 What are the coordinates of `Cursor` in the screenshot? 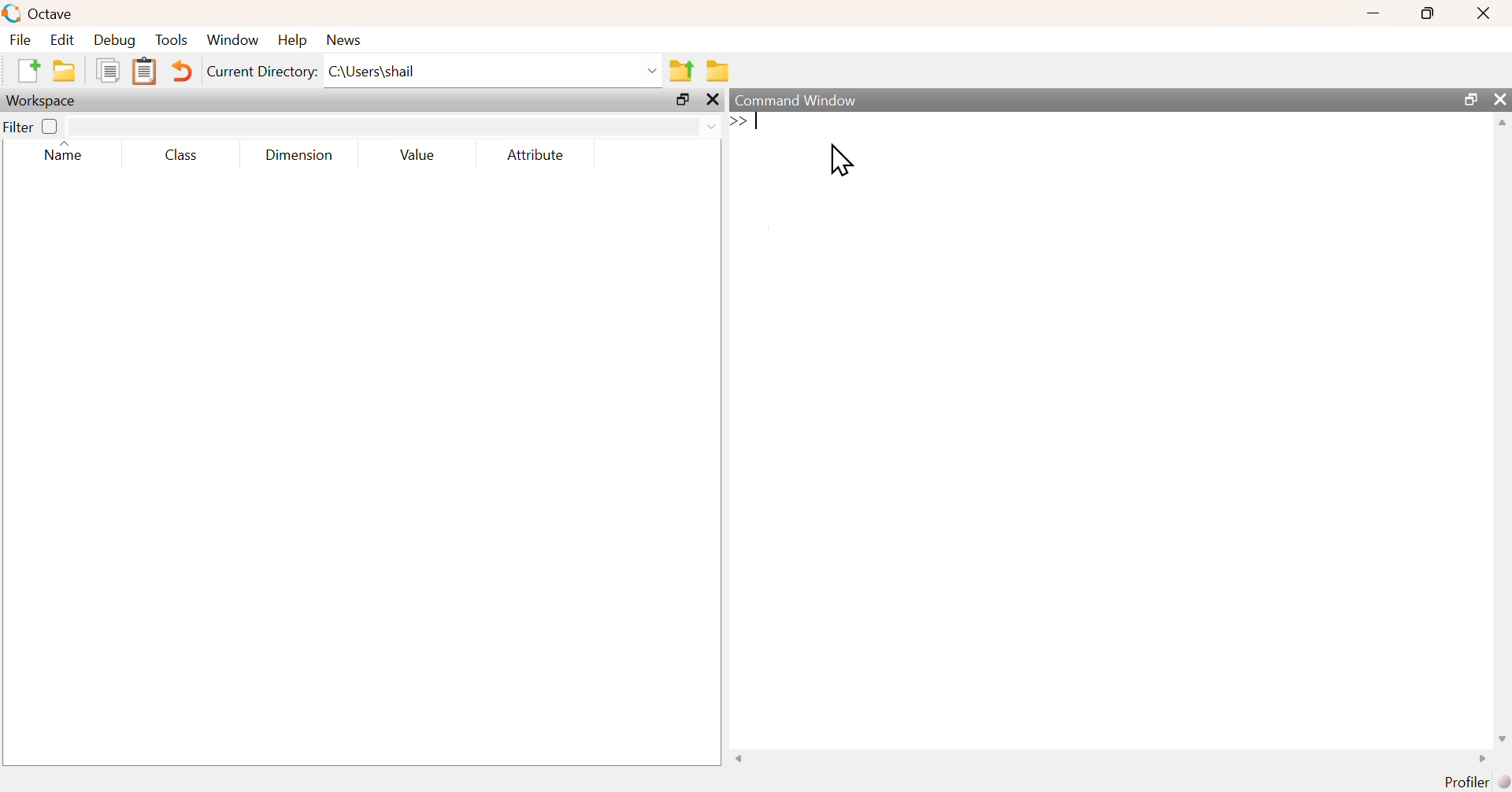 It's located at (843, 161).